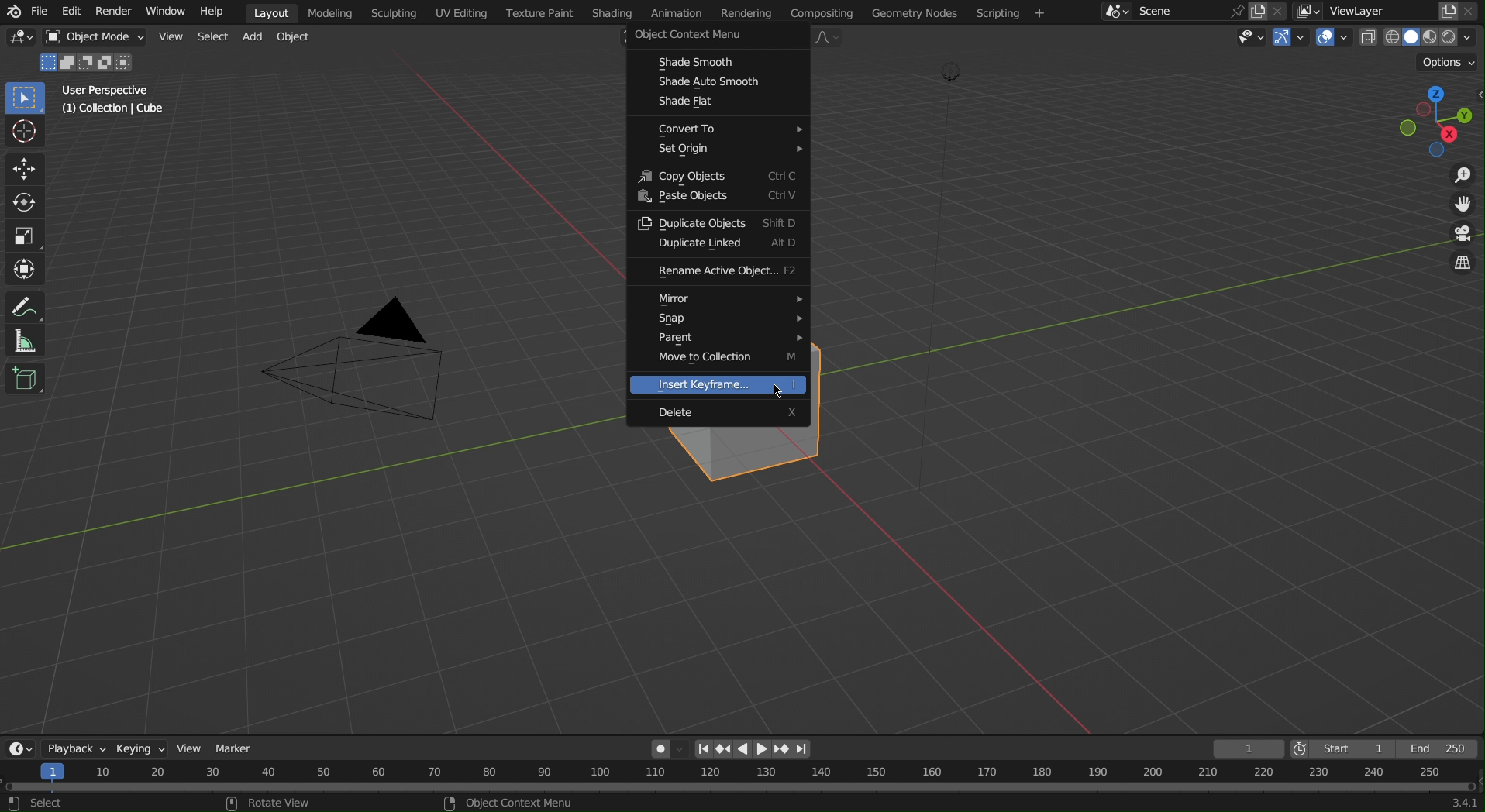  I want to click on Blend logo, so click(13, 12).